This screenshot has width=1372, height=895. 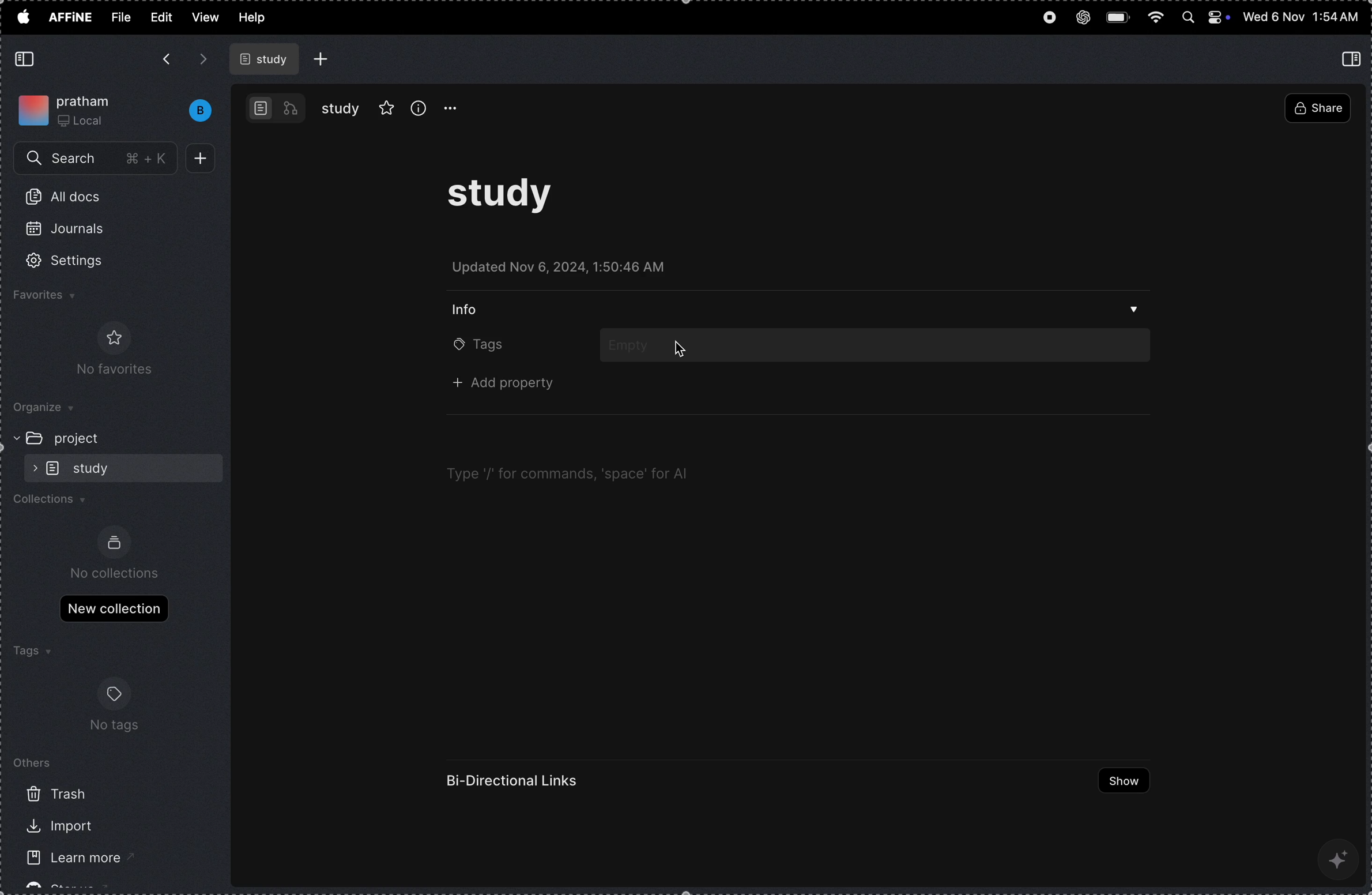 What do you see at coordinates (31, 652) in the screenshot?
I see `tags` at bounding box center [31, 652].